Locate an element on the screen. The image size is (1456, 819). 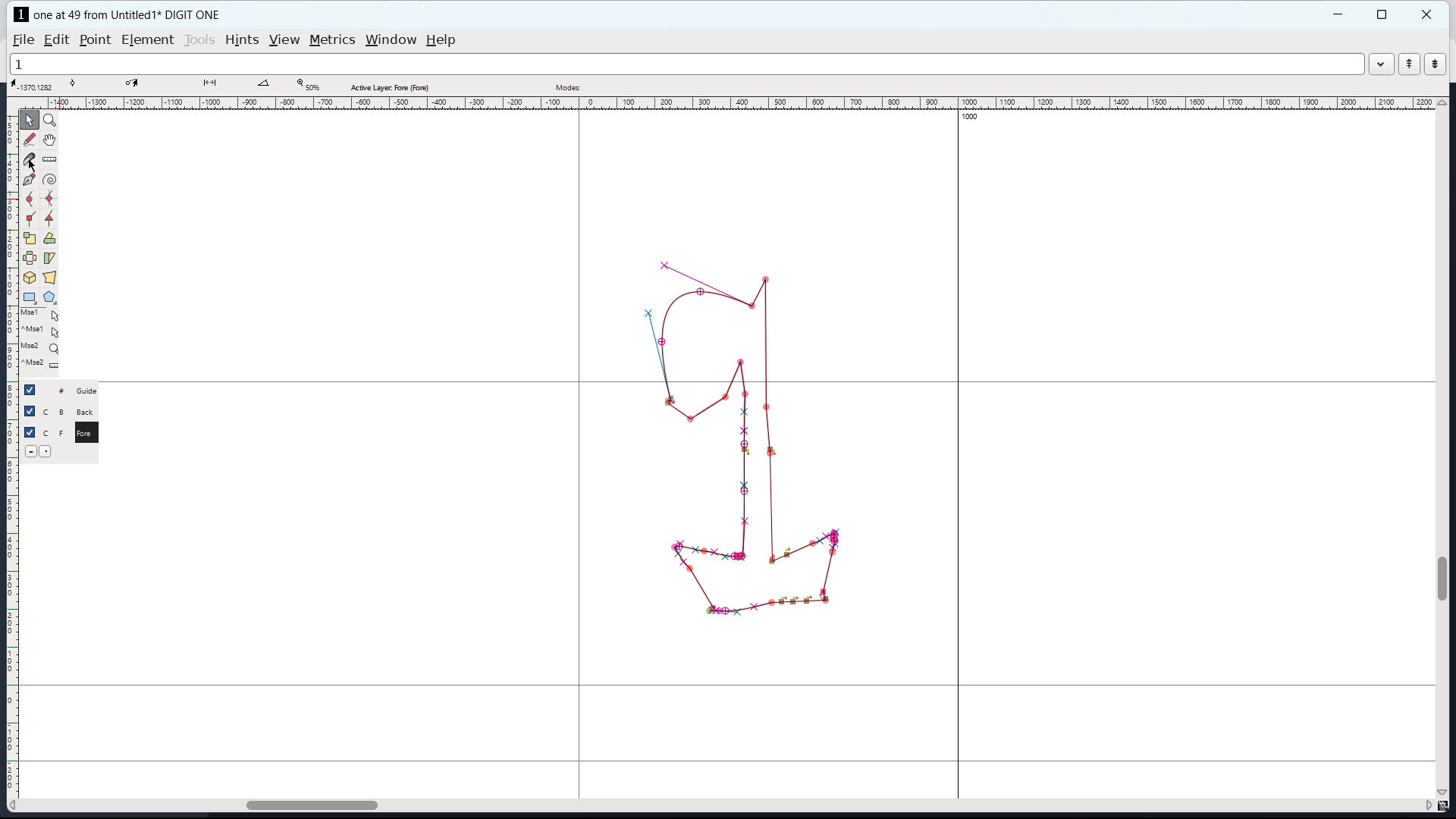
C F is located at coordinates (53, 431).